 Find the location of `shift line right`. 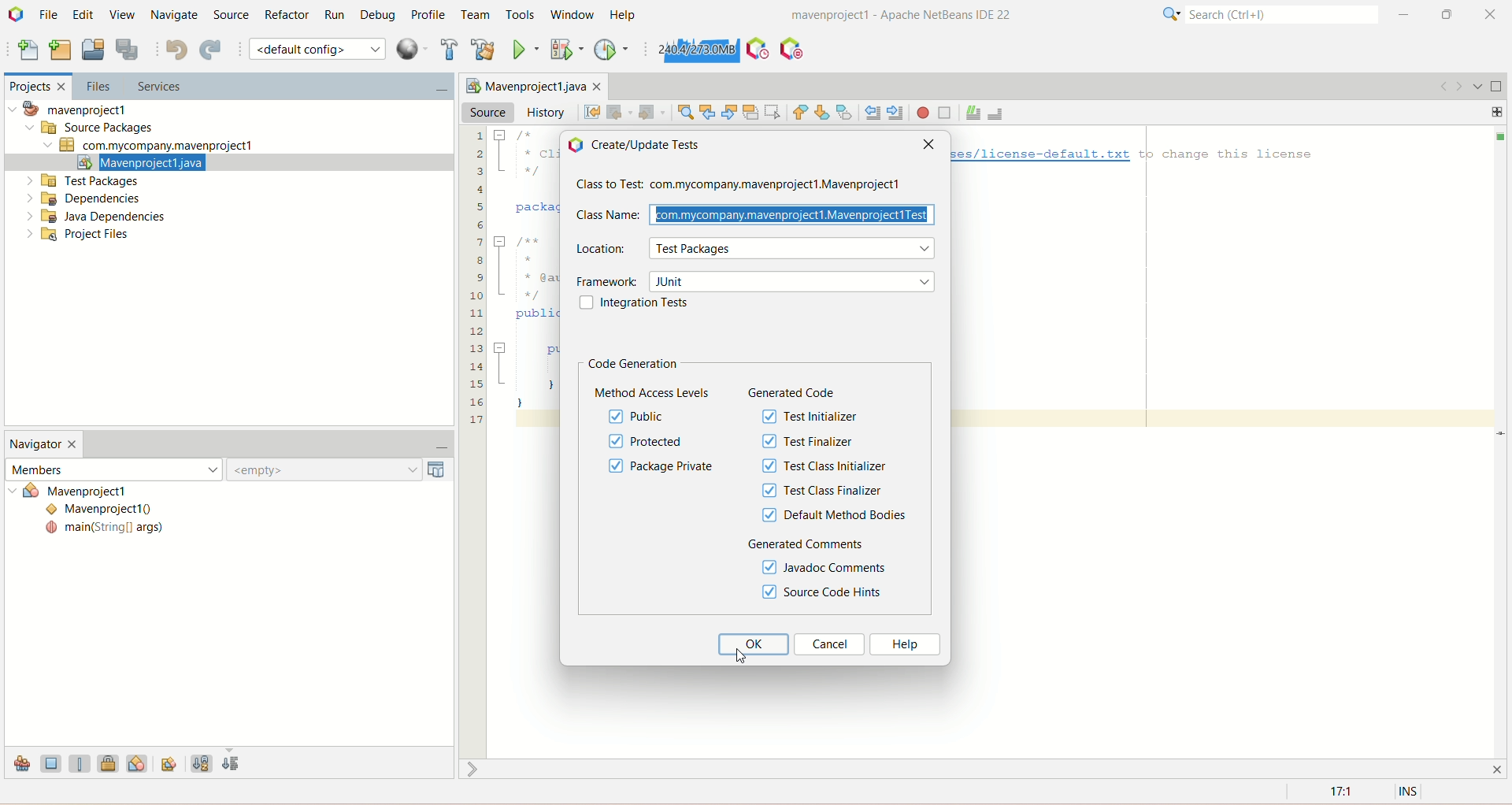

shift line right is located at coordinates (896, 113).